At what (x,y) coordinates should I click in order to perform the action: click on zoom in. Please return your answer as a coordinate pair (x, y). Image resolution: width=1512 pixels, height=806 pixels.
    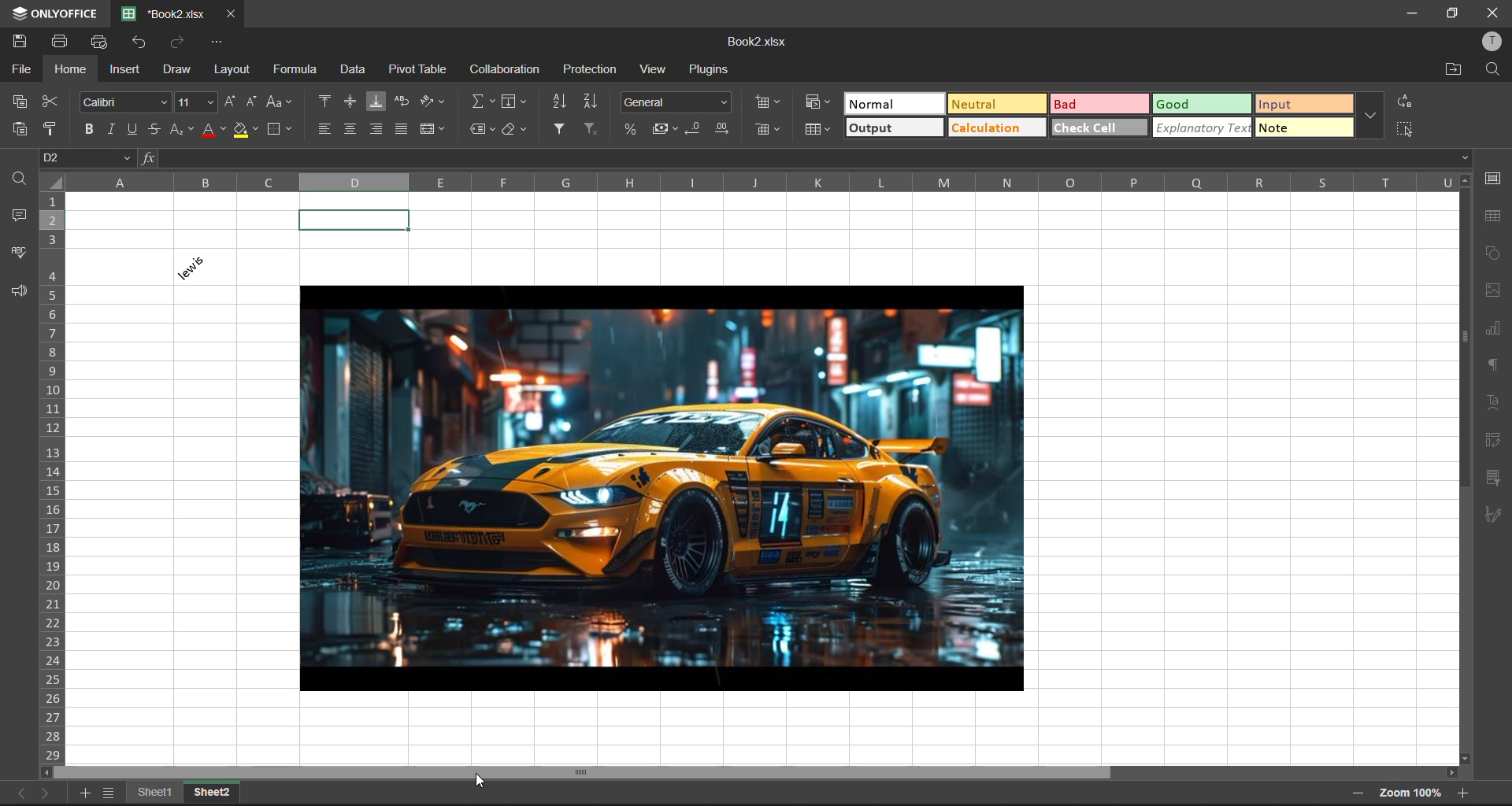
    Looking at the image, I should click on (1467, 793).